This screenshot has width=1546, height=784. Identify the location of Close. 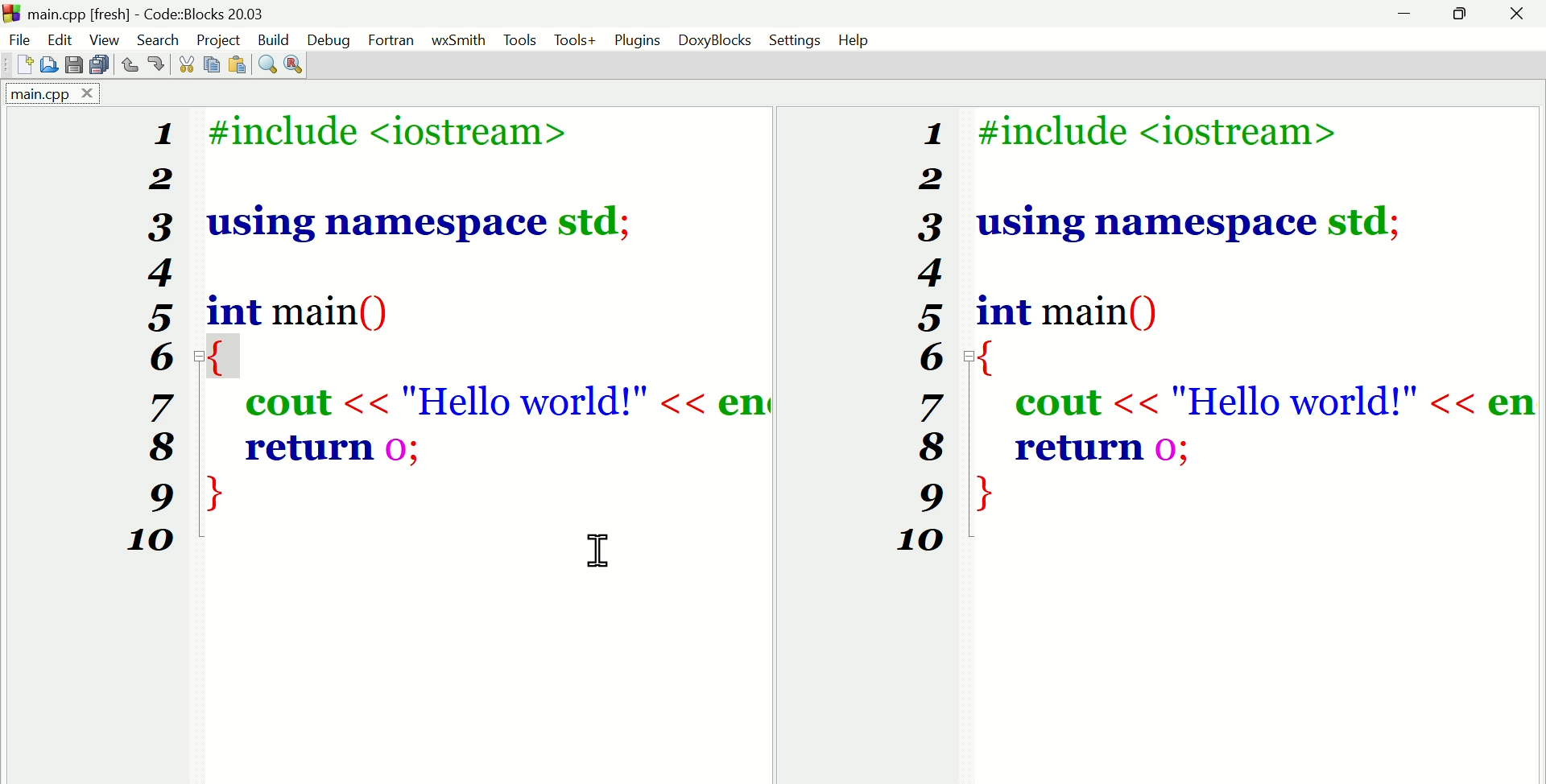
(1518, 17).